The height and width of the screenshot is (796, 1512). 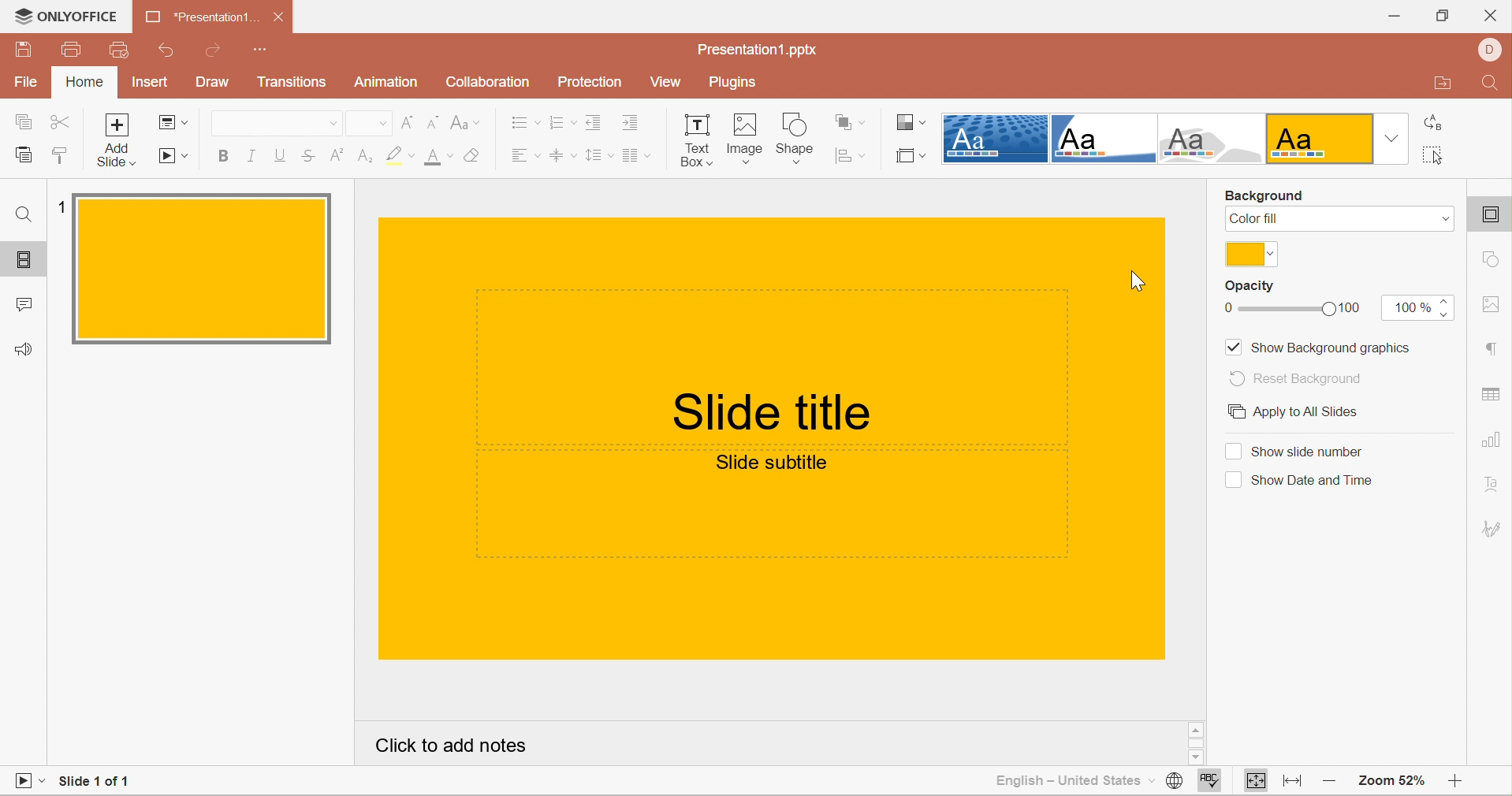 What do you see at coordinates (169, 121) in the screenshot?
I see `Change slide layout` at bounding box center [169, 121].